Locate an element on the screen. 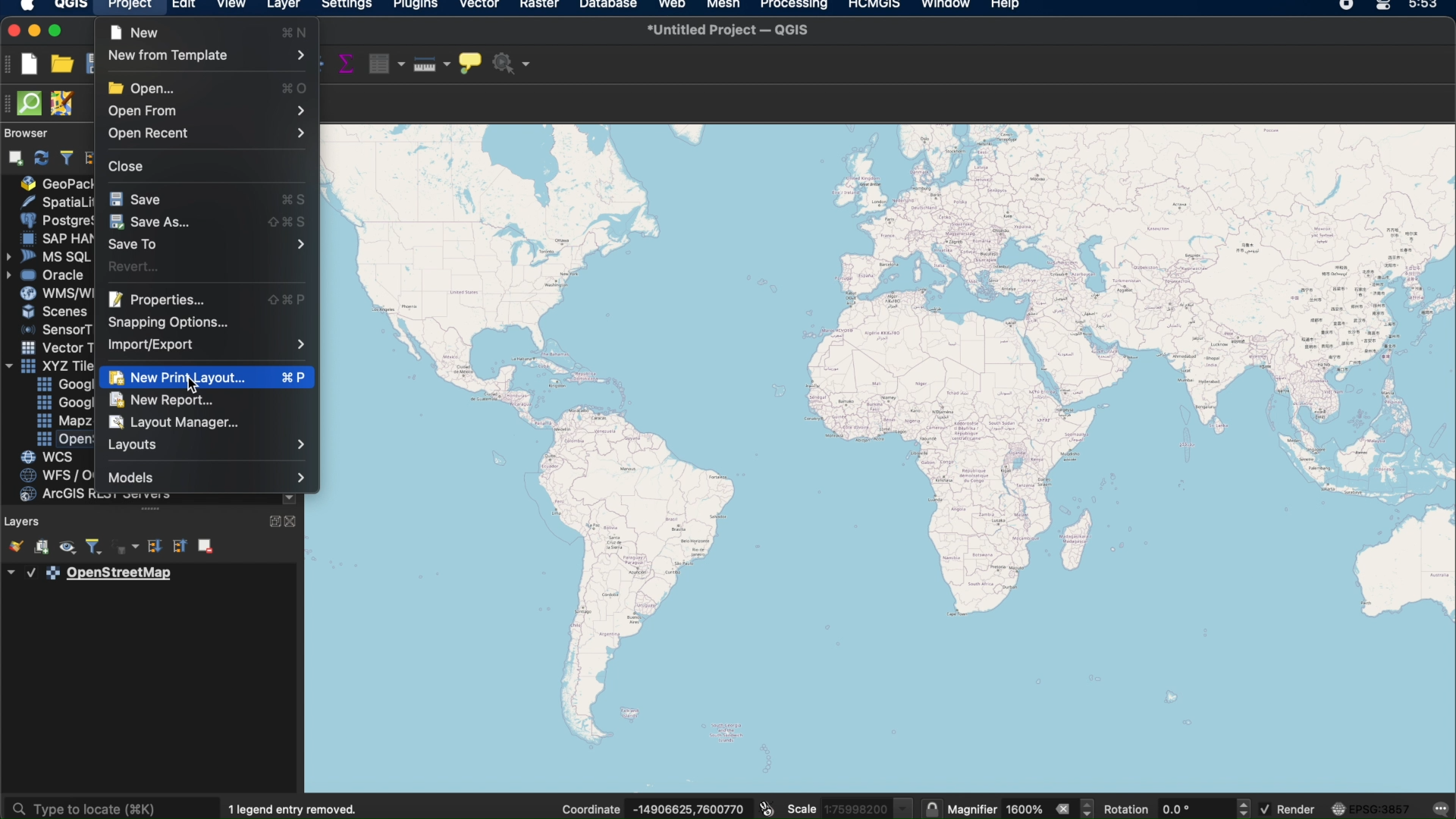 The height and width of the screenshot is (819, 1456). open street map is located at coordinates (890, 459).